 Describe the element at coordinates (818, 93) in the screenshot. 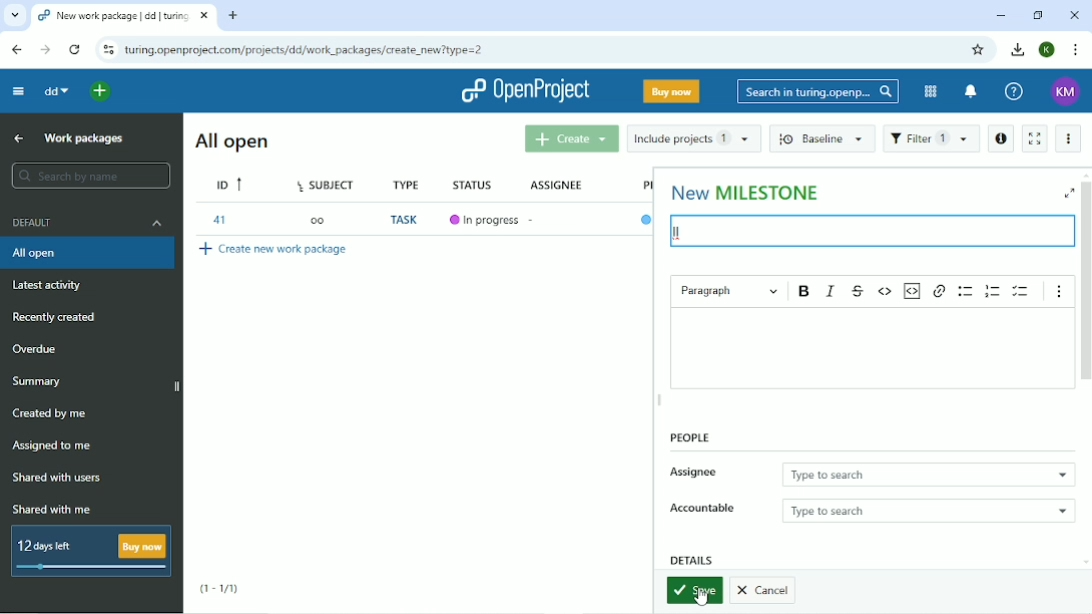

I see `Search` at that location.